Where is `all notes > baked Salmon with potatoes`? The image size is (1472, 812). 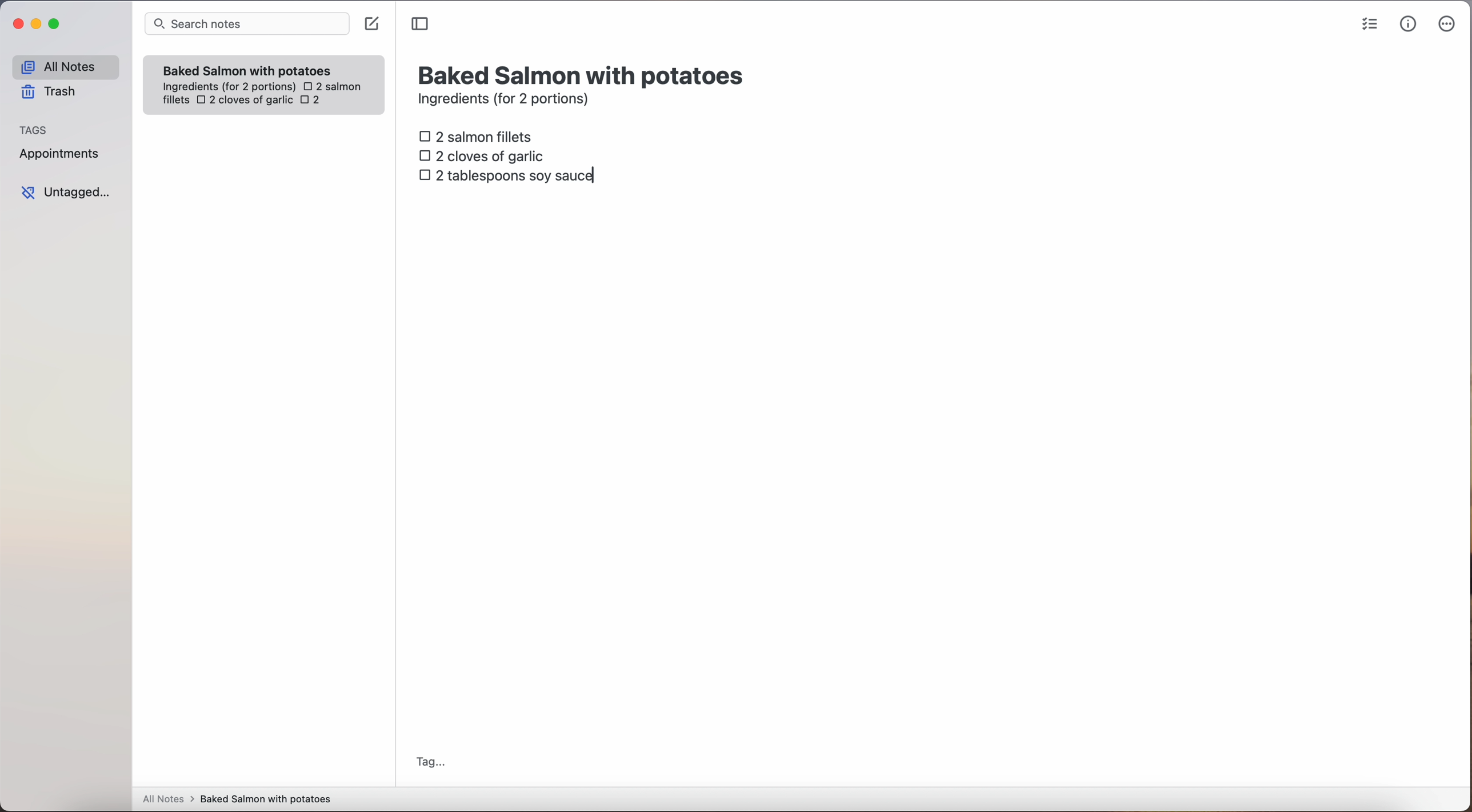 all notes > baked Salmon with potatoes is located at coordinates (237, 798).